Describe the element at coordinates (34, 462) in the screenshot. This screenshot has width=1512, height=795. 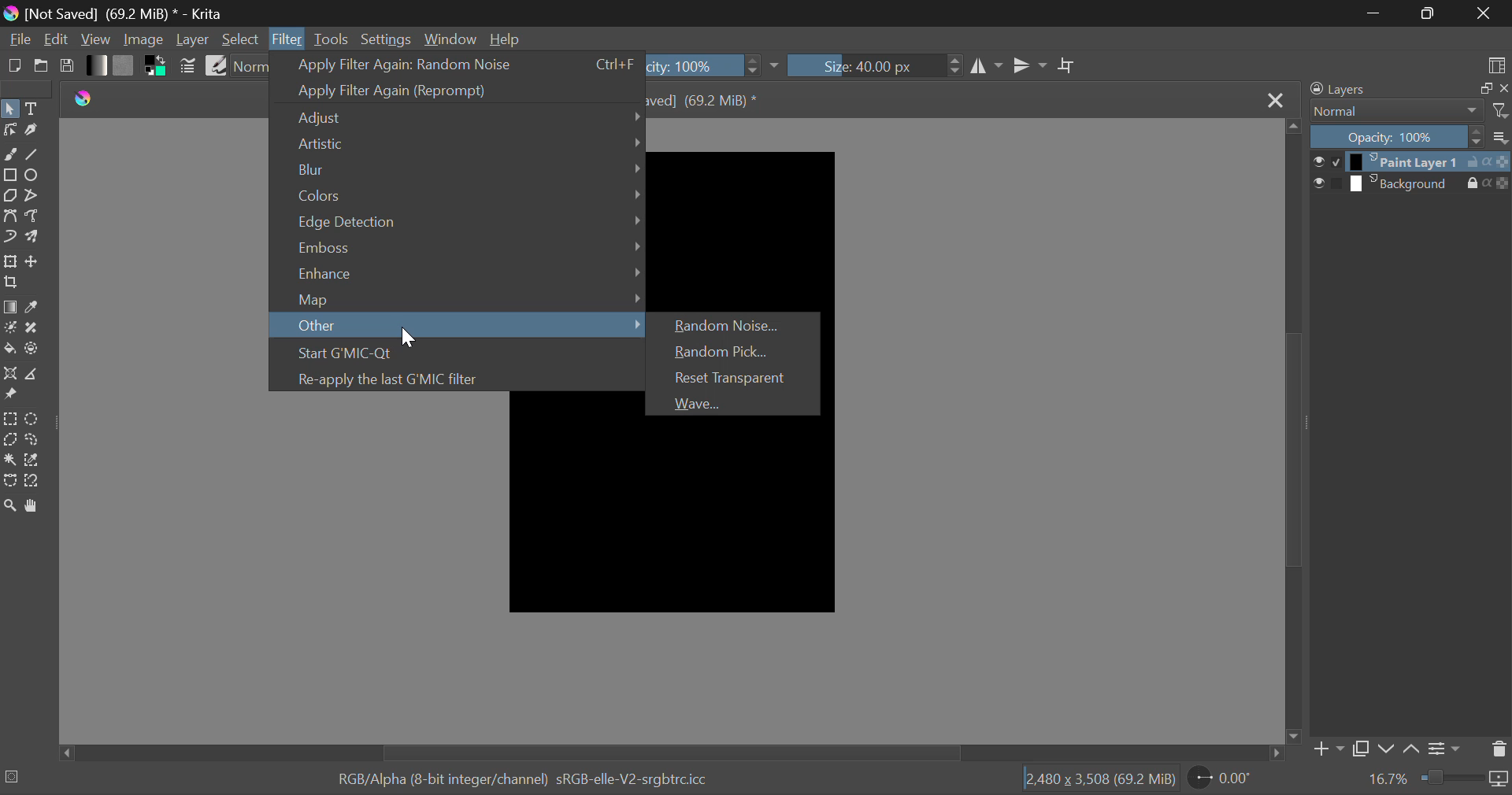
I see `Similar Color Selector` at that location.